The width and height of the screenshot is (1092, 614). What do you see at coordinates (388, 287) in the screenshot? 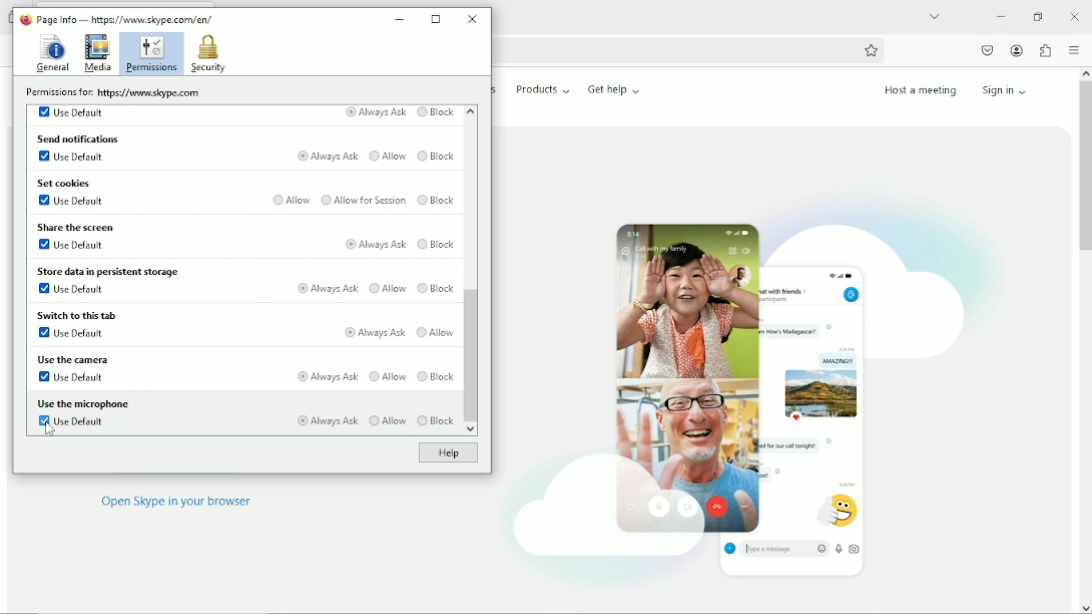
I see `Allow` at bounding box center [388, 287].